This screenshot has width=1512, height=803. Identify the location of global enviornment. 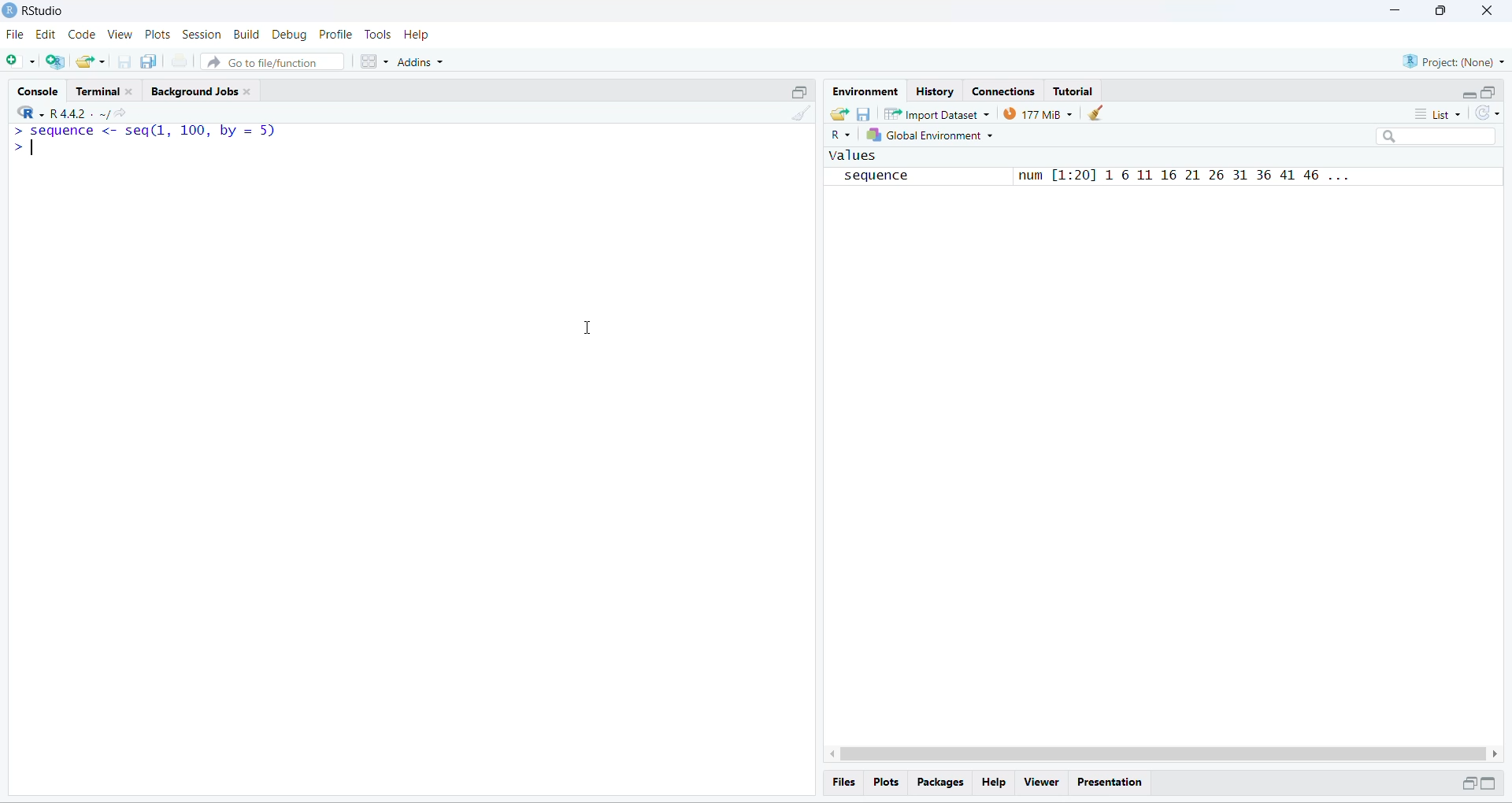
(933, 135).